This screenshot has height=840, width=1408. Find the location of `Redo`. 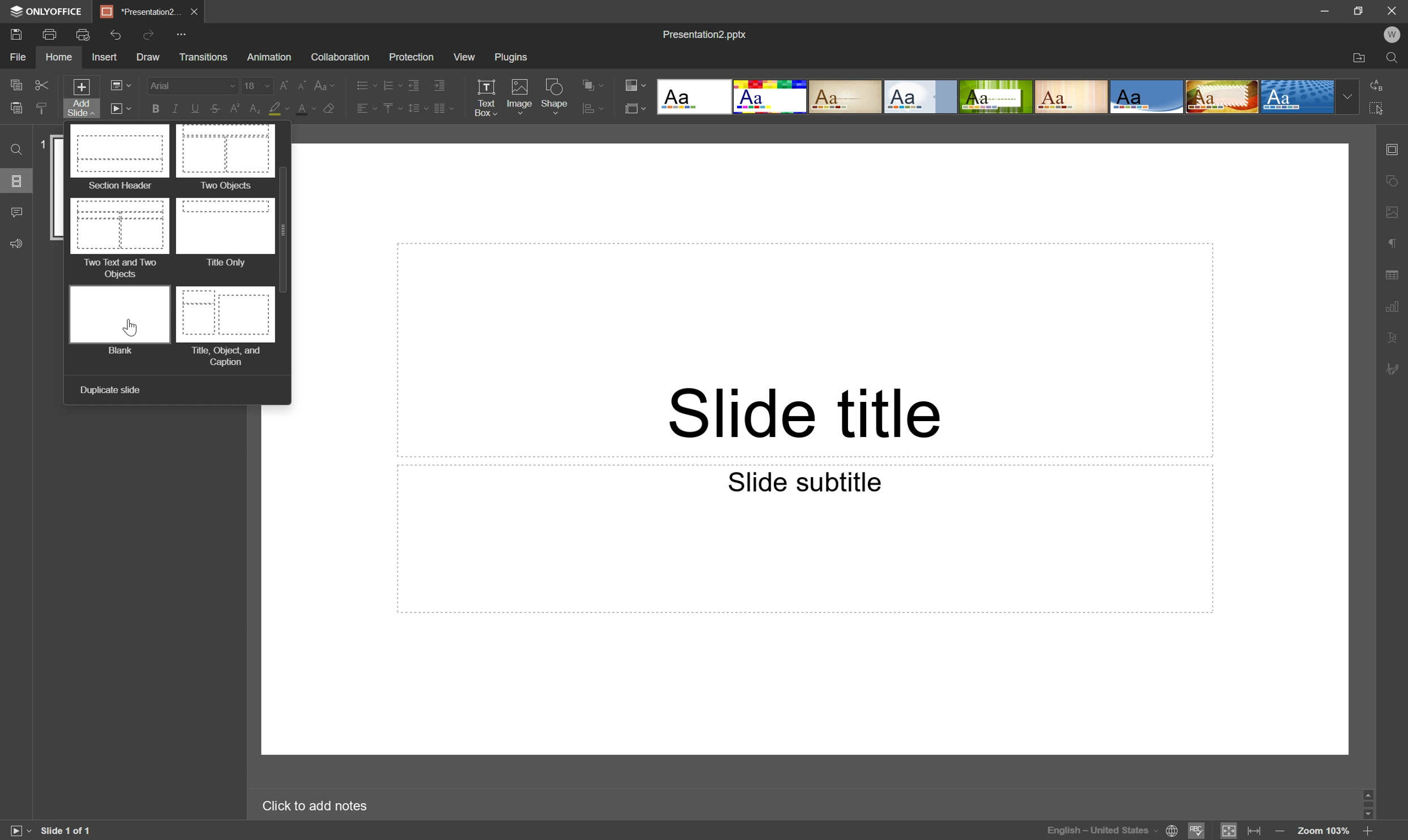

Redo is located at coordinates (120, 36).